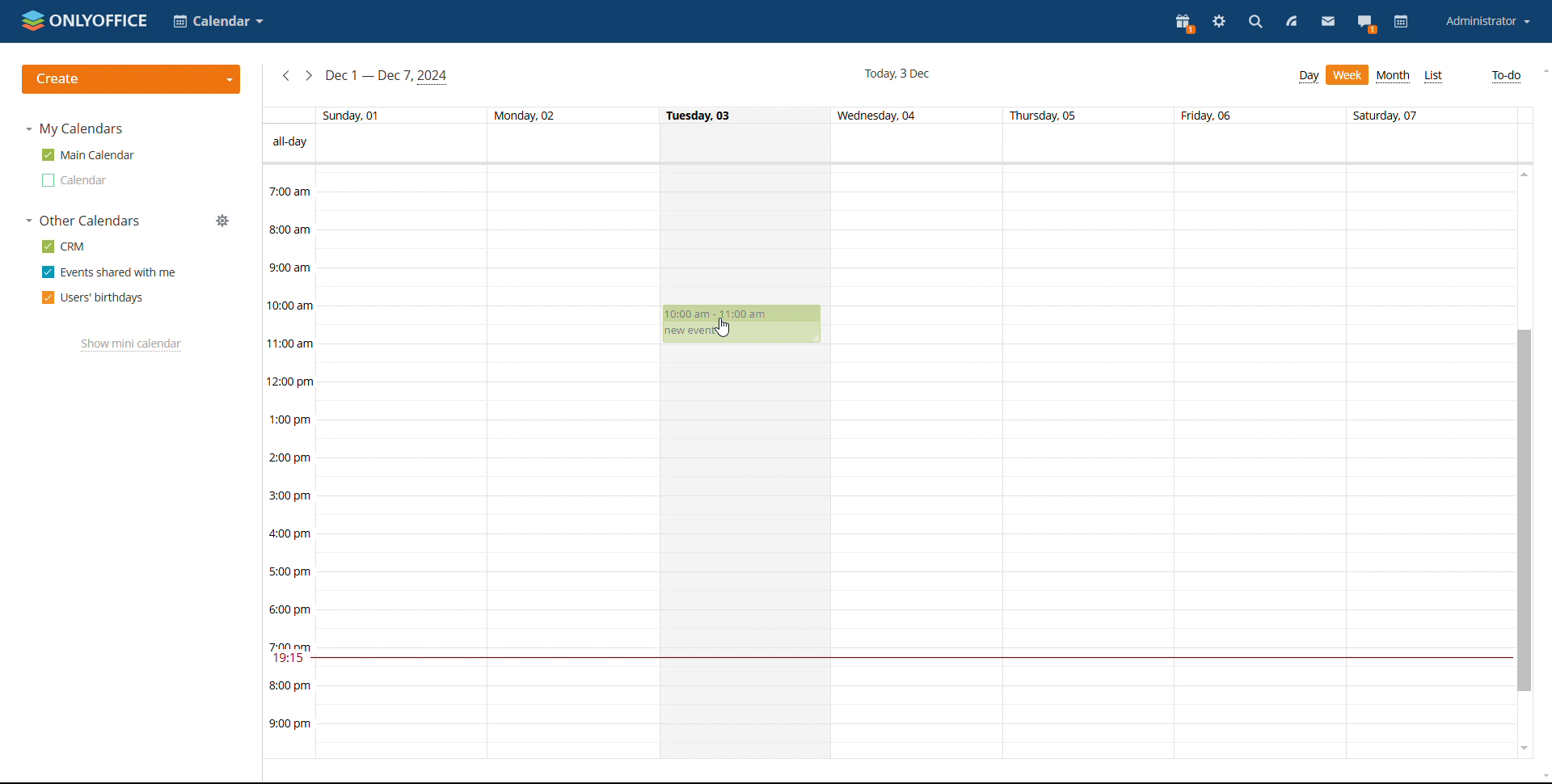 Image resolution: width=1552 pixels, height=784 pixels. Describe the element at coordinates (524, 114) in the screenshot. I see `Monday, 02` at that location.